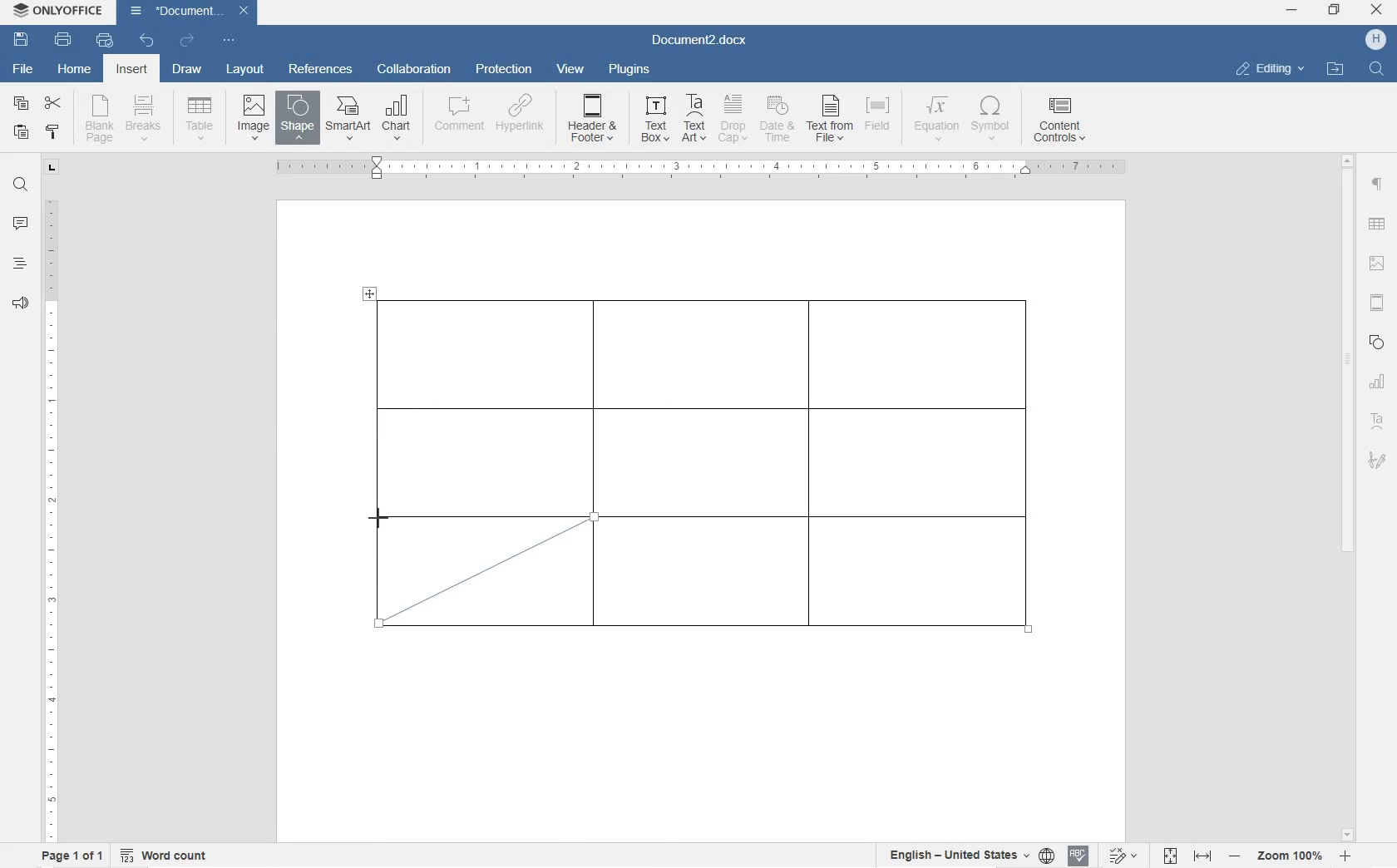 The width and height of the screenshot is (1397, 868). What do you see at coordinates (21, 224) in the screenshot?
I see `comment` at bounding box center [21, 224].